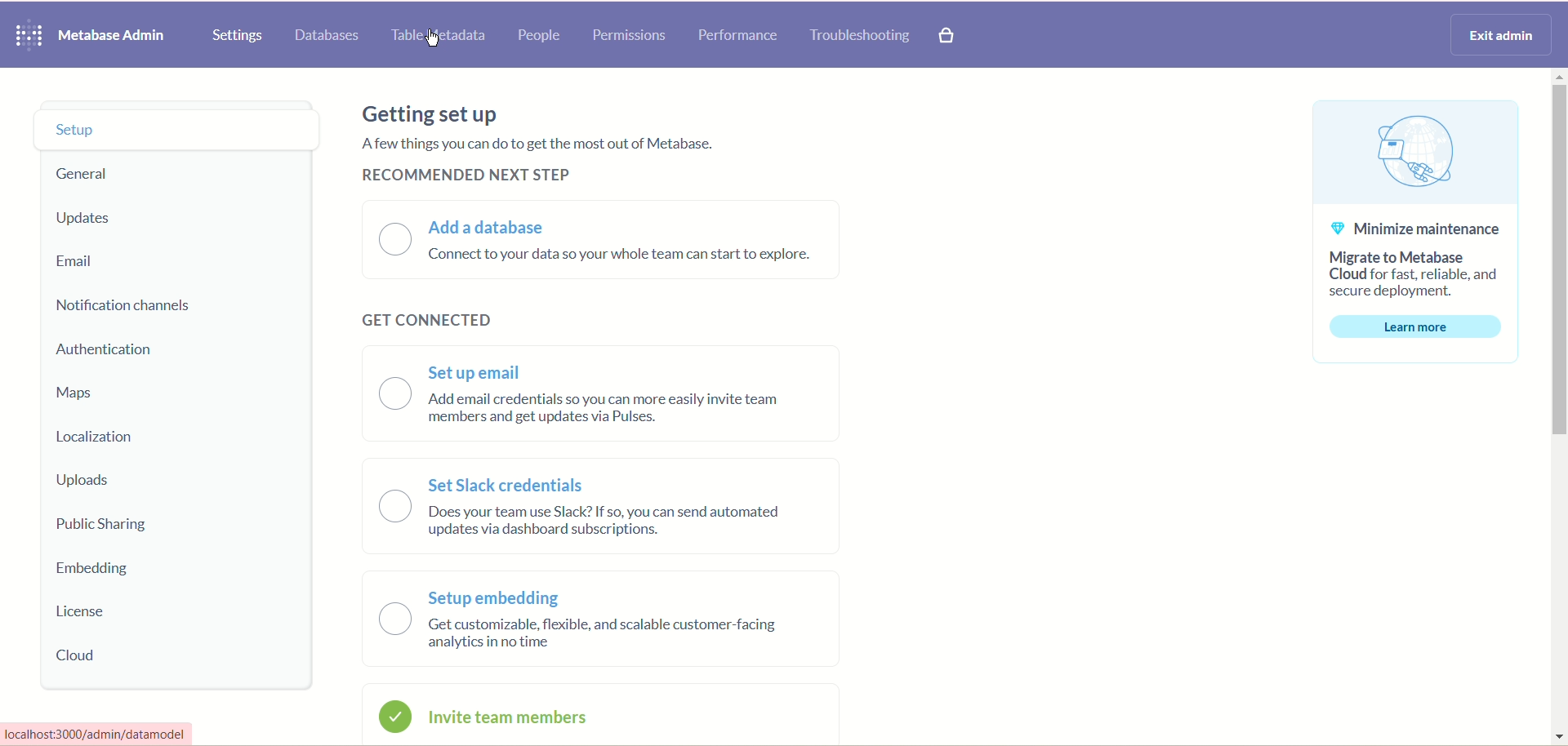  What do you see at coordinates (458, 175) in the screenshot?
I see `recommended next step` at bounding box center [458, 175].